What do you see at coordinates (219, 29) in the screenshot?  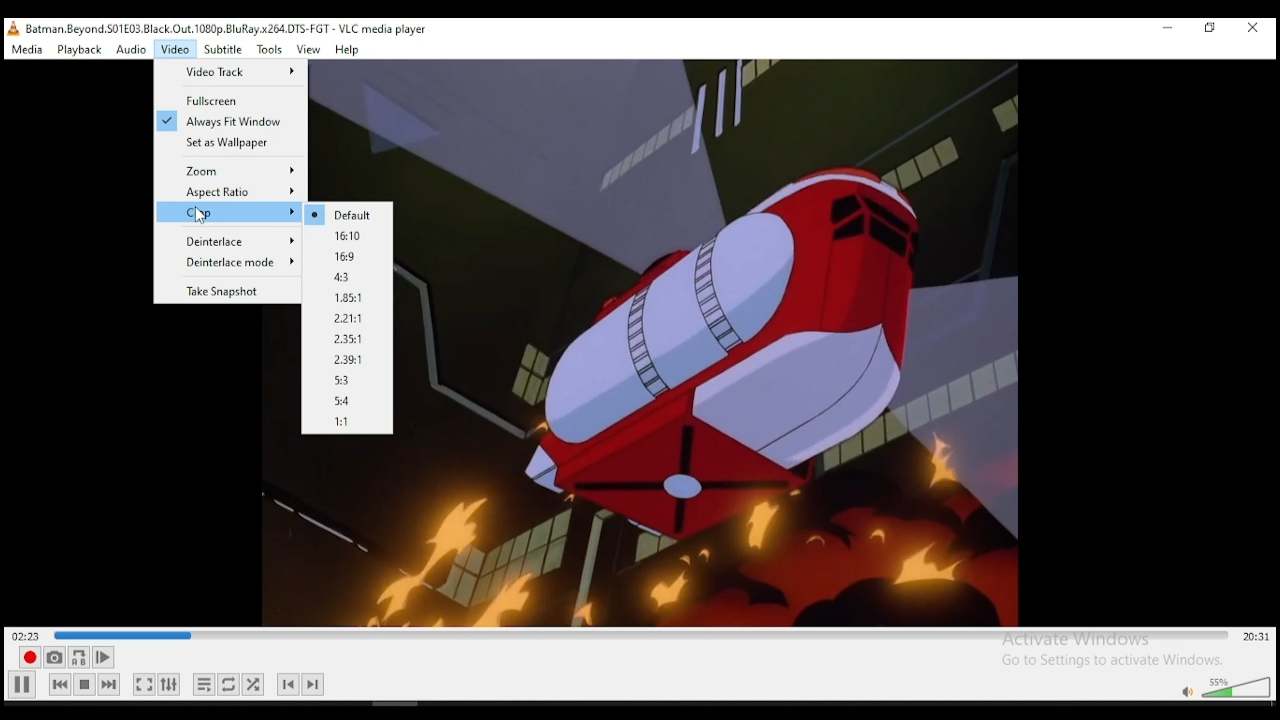 I see `, Batman Beyond. S01£03 Black.Out. 1080p. BluRay x264.DTS-FGT - VLC media player` at bounding box center [219, 29].